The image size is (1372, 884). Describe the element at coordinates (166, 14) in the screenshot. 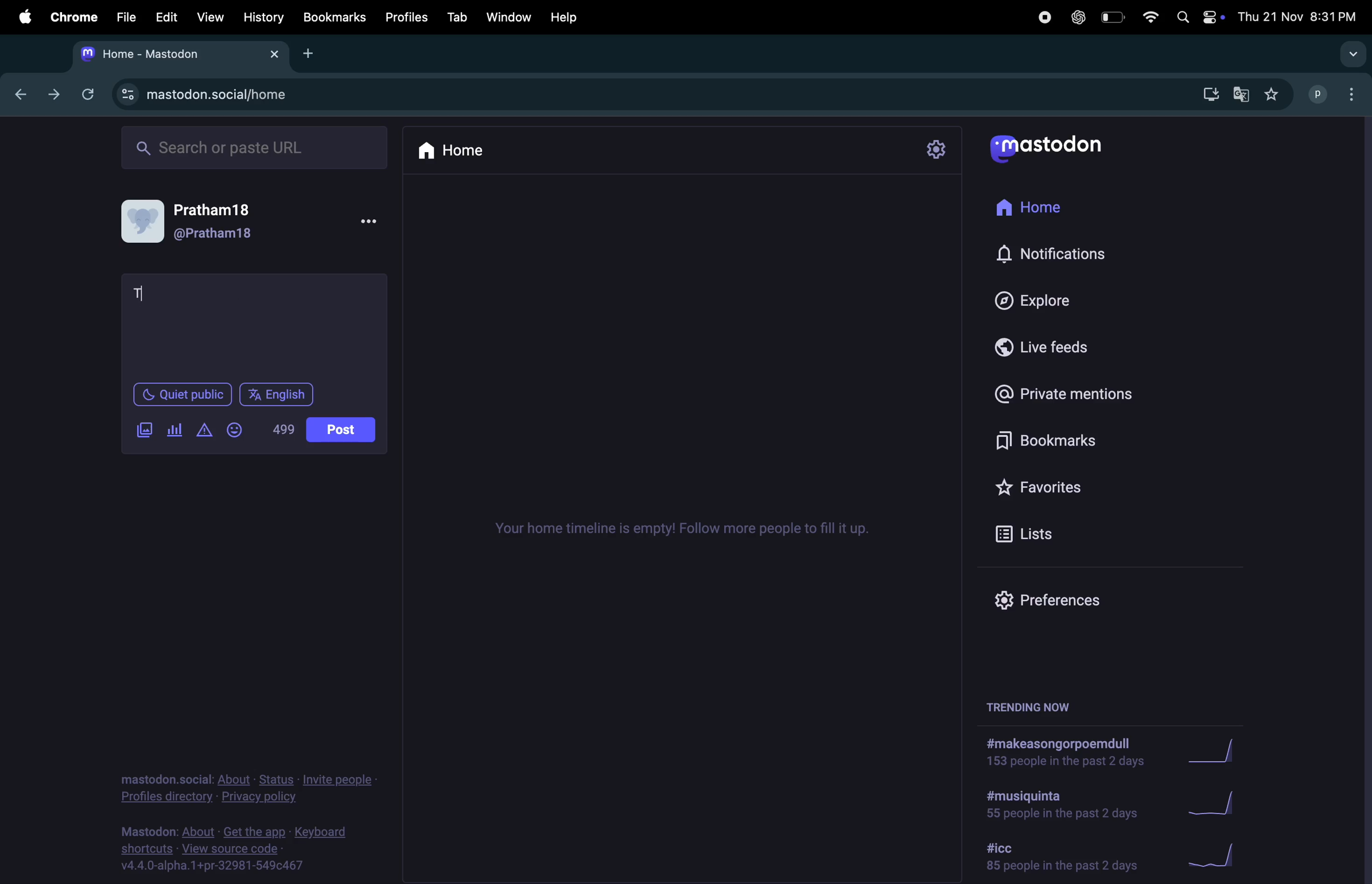

I see `Edit` at that location.